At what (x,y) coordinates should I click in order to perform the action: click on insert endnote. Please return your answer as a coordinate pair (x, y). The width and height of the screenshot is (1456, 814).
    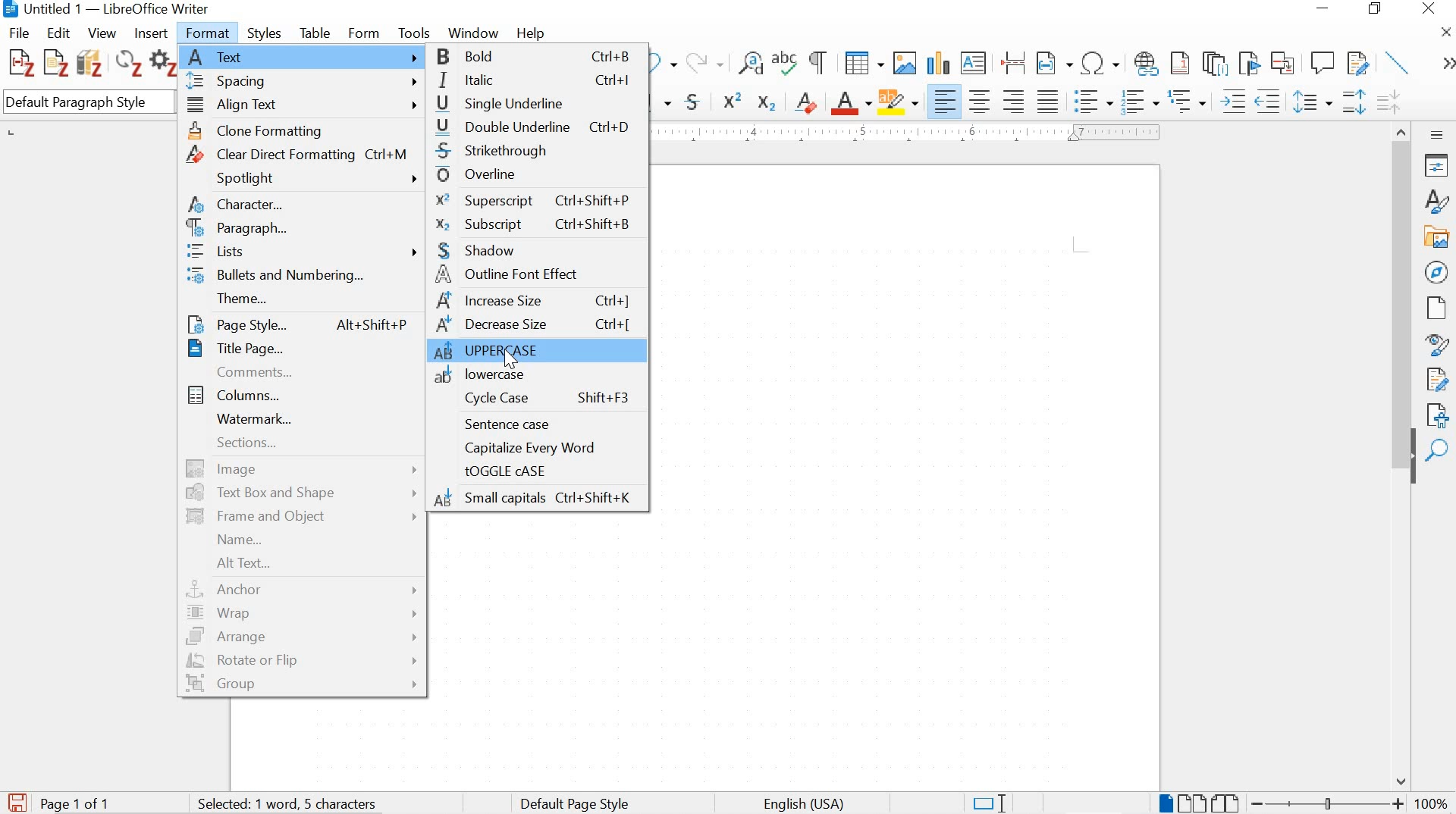
    Looking at the image, I should click on (1215, 64).